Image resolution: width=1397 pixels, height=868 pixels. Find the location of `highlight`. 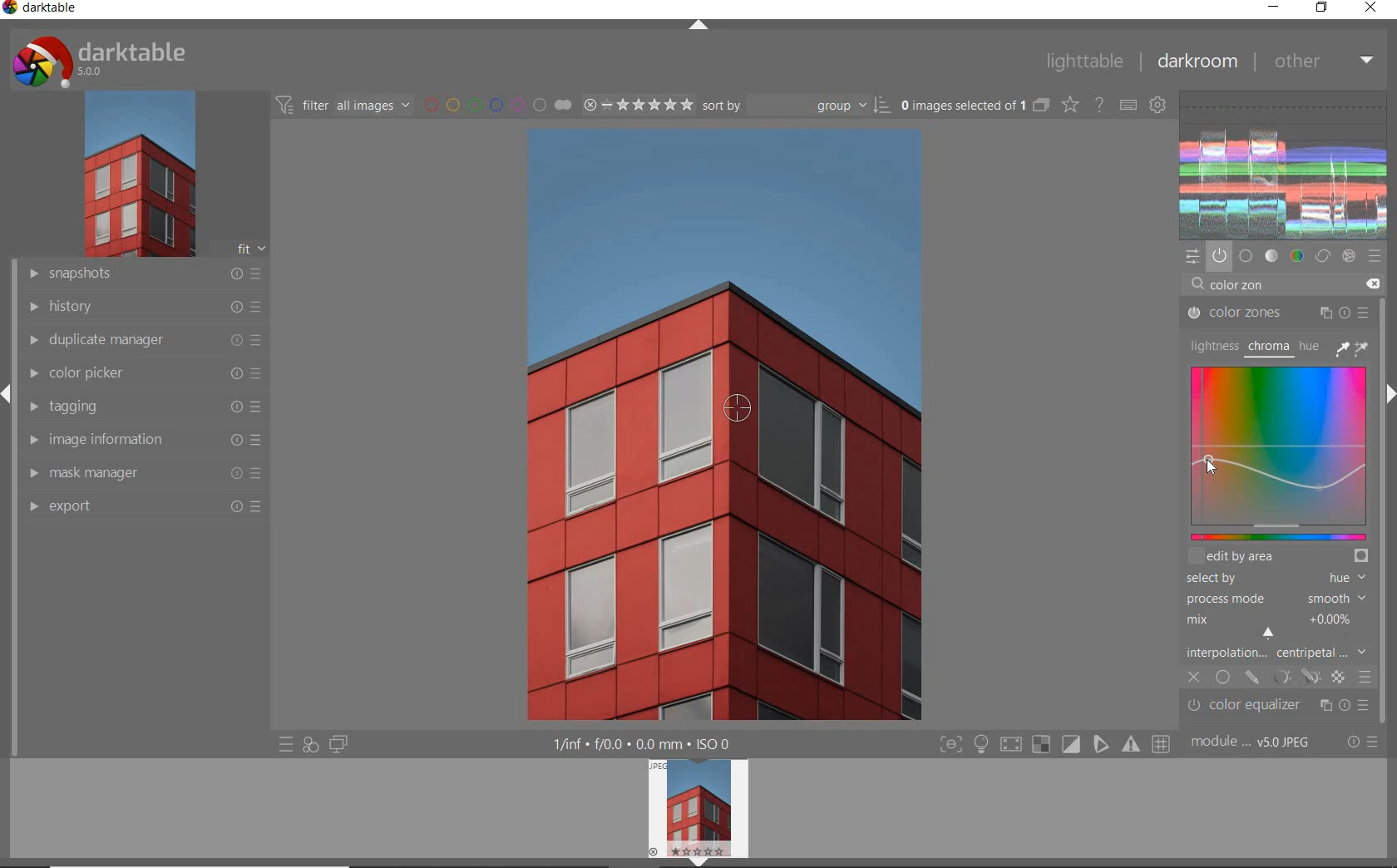

highlight is located at coordinates (983, 747).